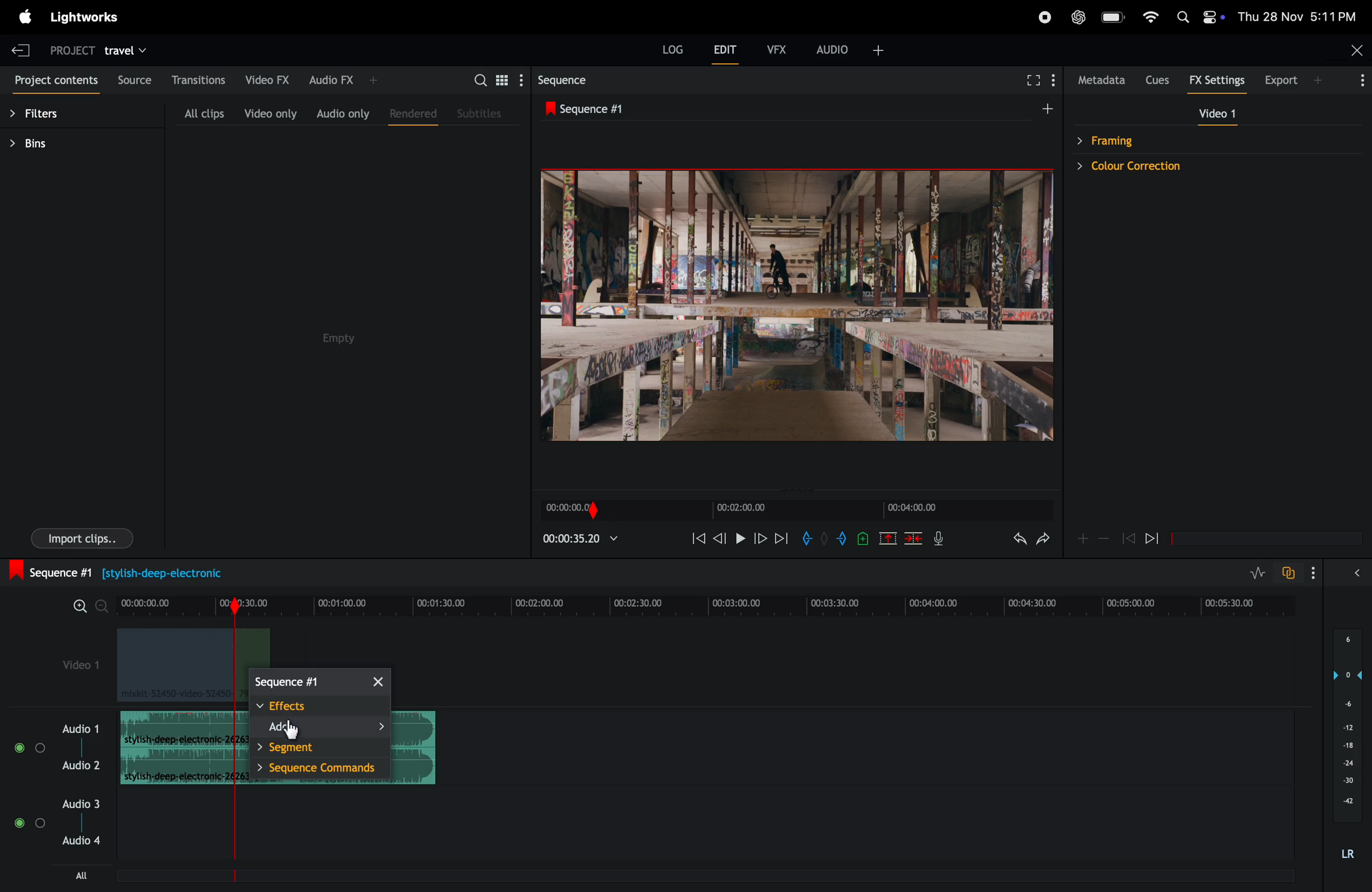 Image resolution: width=1372 pixels, height=892 pixels. Describe the element at coordinates (87, 605) in the screenshot. I see `zoom in zoom out` at that location.